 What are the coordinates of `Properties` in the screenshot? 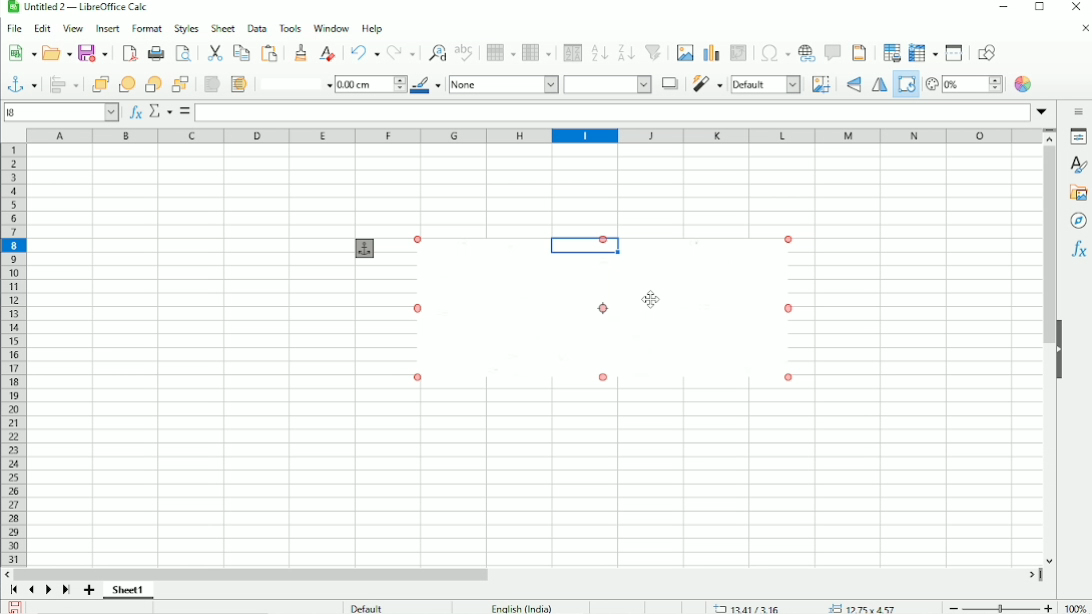 It's located at (1076, 137).